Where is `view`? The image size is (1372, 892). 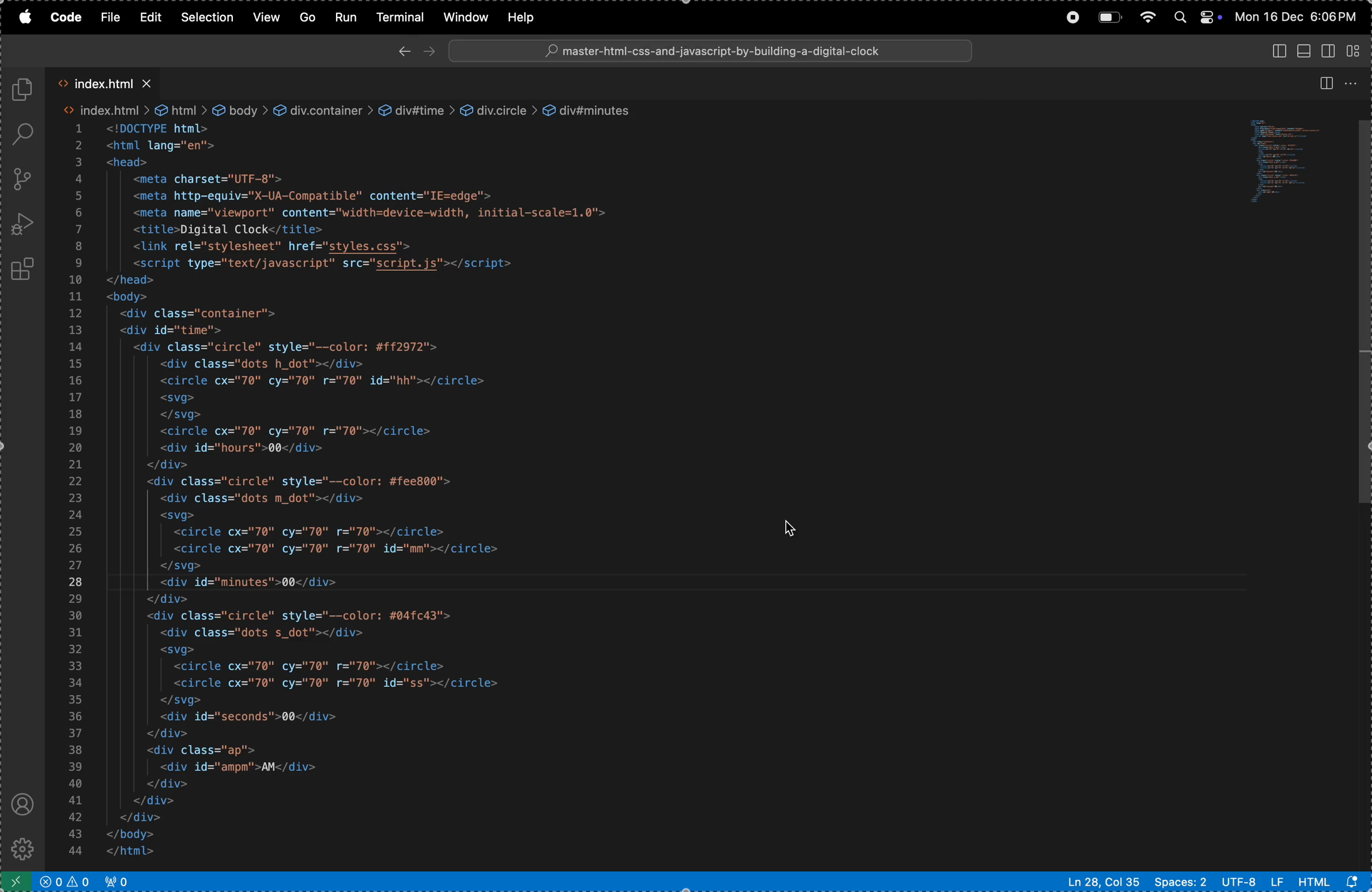
view is located at coordinates (267, 17).